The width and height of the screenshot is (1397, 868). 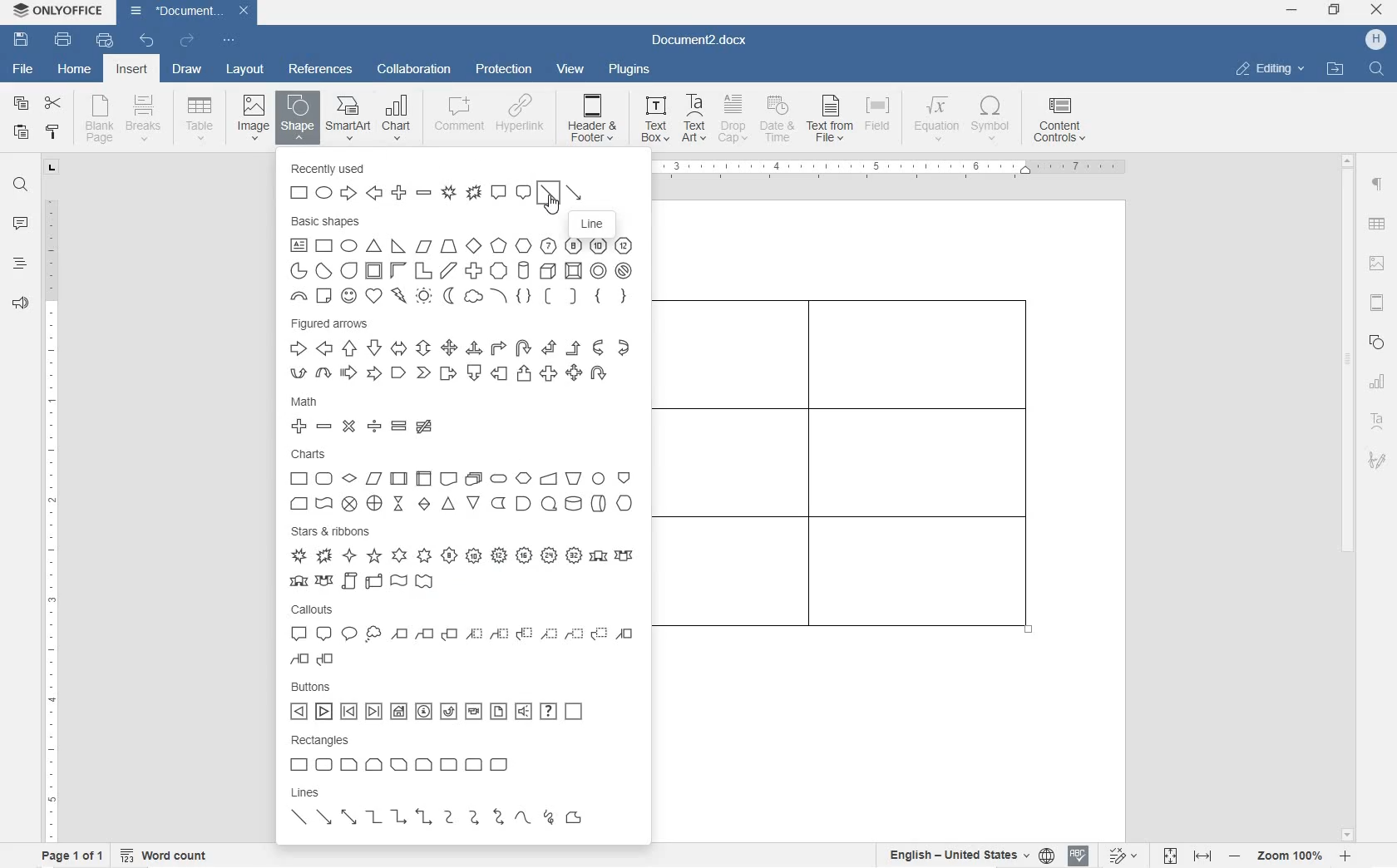 What do you see at coordinates (61, 11) in the screenshot?
I see `ONLYOFFICE` at bounding box center [61, 11].